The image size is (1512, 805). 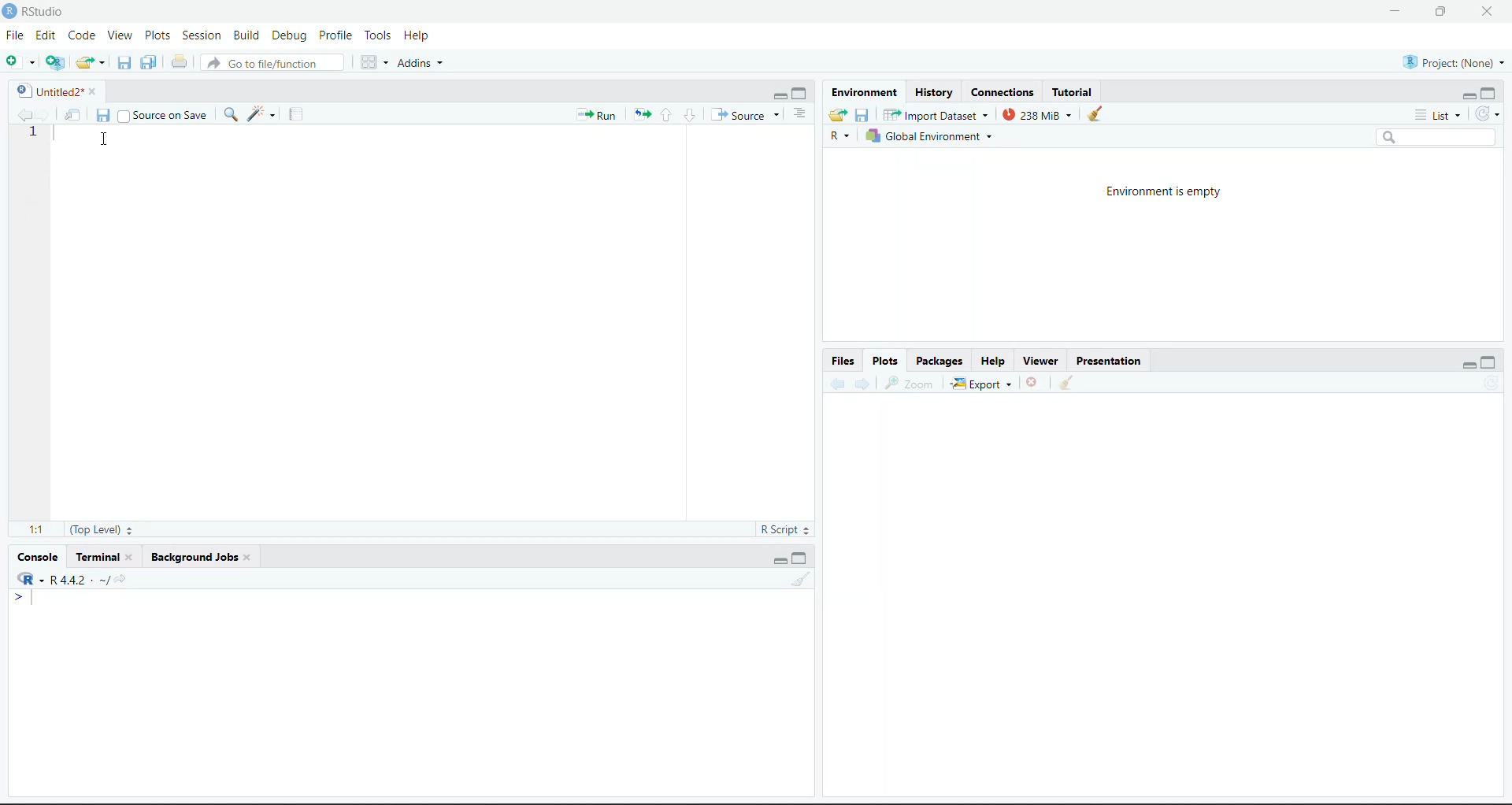 What do you see at coordinates (778, 95) in the screenshot?
I see `minimize` at bounding box center [778, 95].